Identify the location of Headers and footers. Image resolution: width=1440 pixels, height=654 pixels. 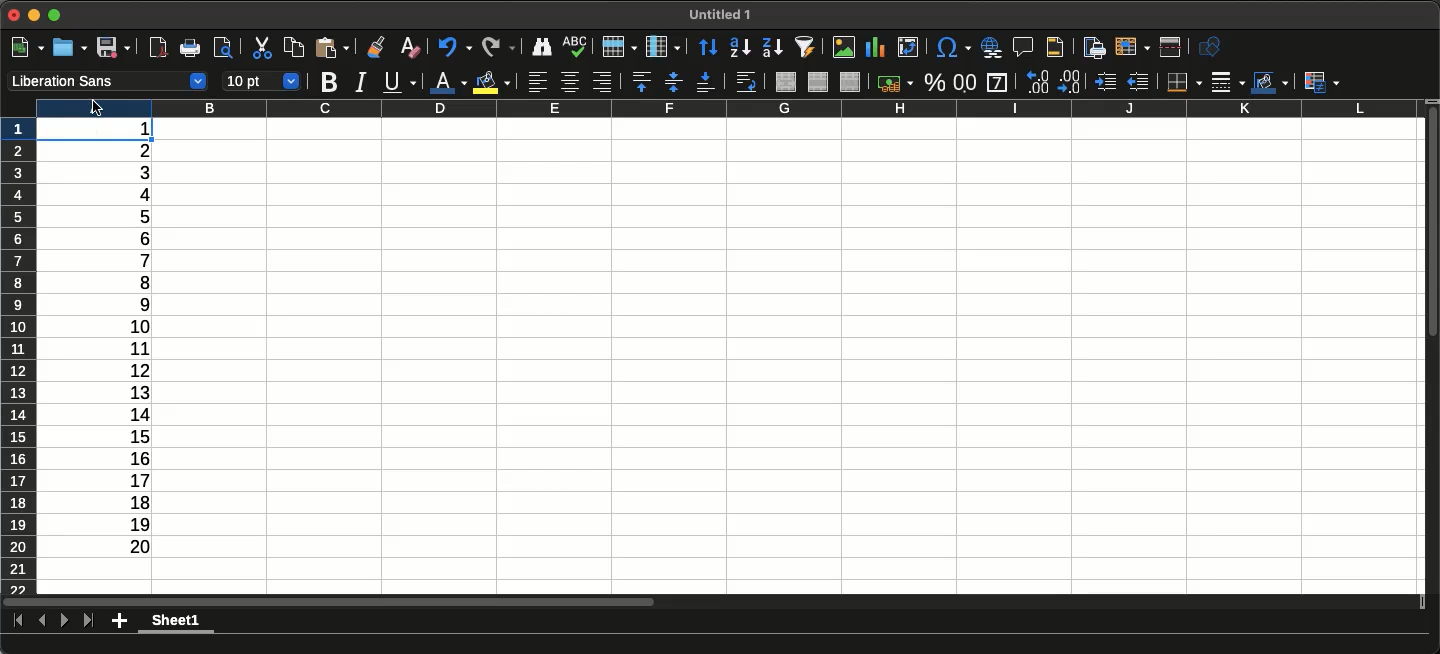
(1053, 47).